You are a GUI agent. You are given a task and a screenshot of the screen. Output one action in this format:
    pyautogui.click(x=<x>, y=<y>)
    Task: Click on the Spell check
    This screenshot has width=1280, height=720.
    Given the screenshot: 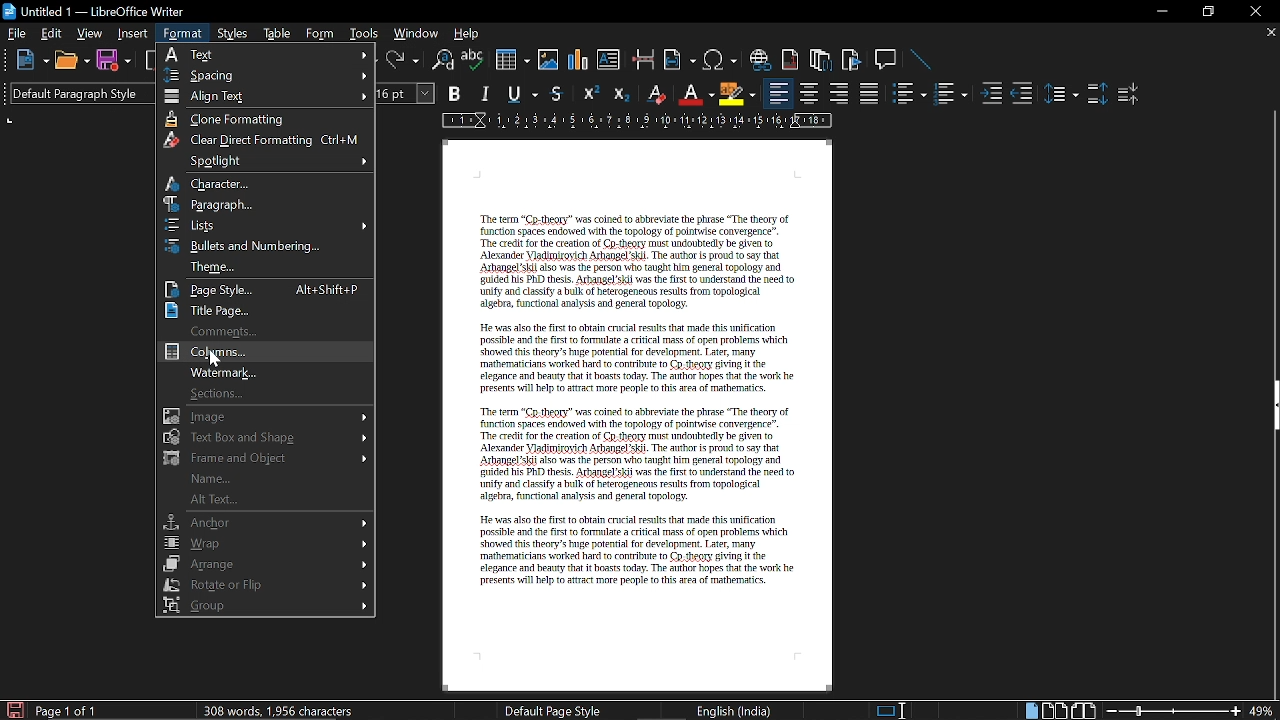 What is the action you would take?
    pyautogui.click(x=473, y=59)
    